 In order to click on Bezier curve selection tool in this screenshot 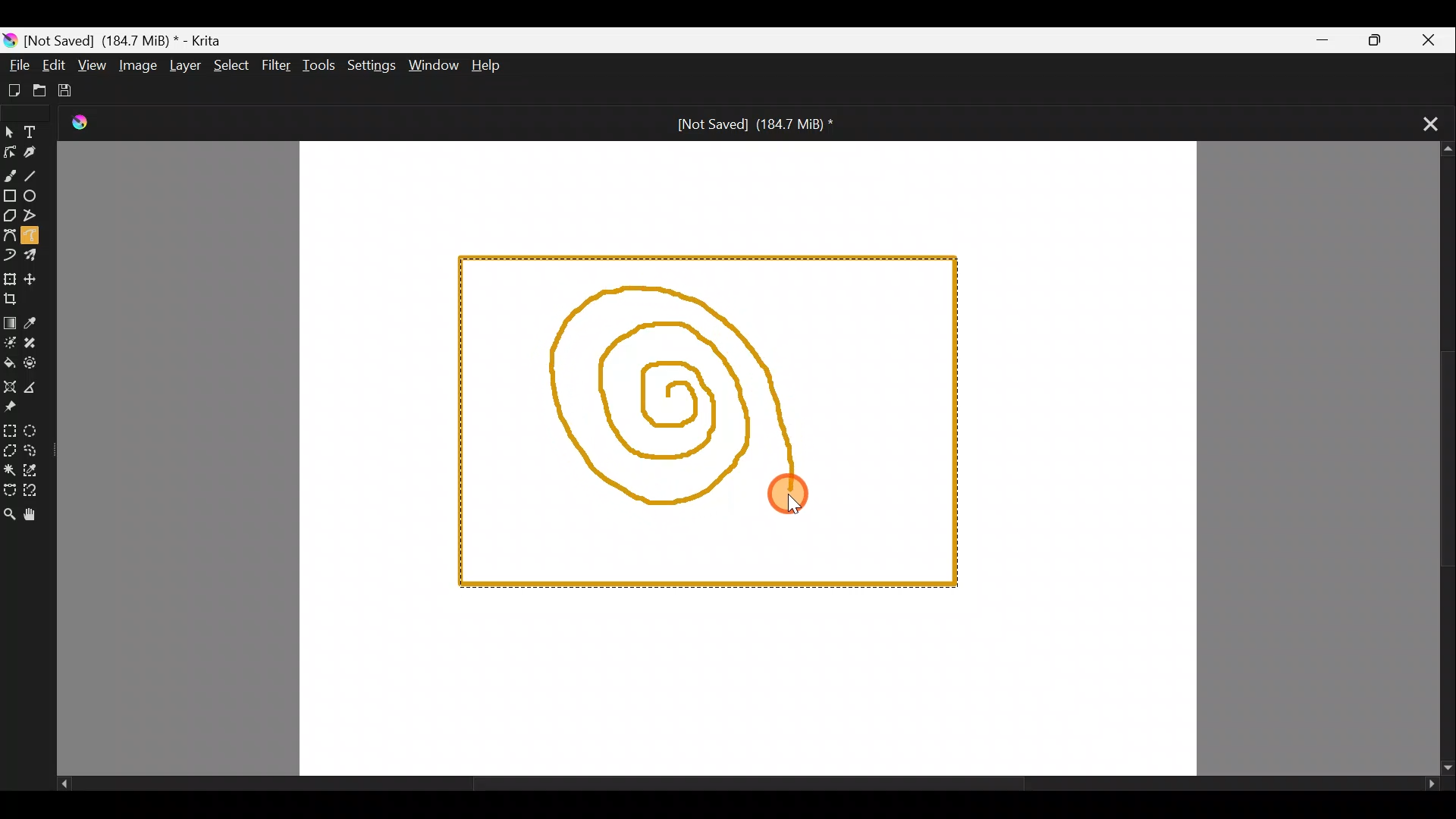, I will do `click(9, 491)`.